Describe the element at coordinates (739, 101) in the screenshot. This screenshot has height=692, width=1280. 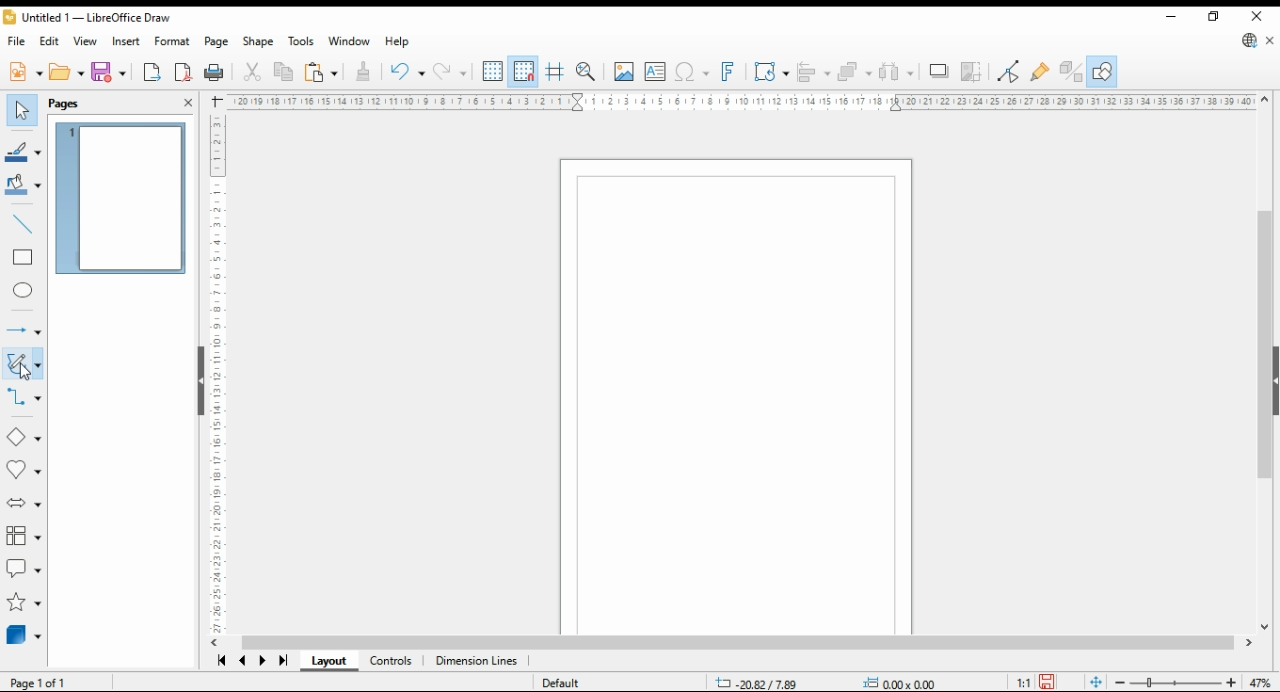
I see `ruler` at that location.